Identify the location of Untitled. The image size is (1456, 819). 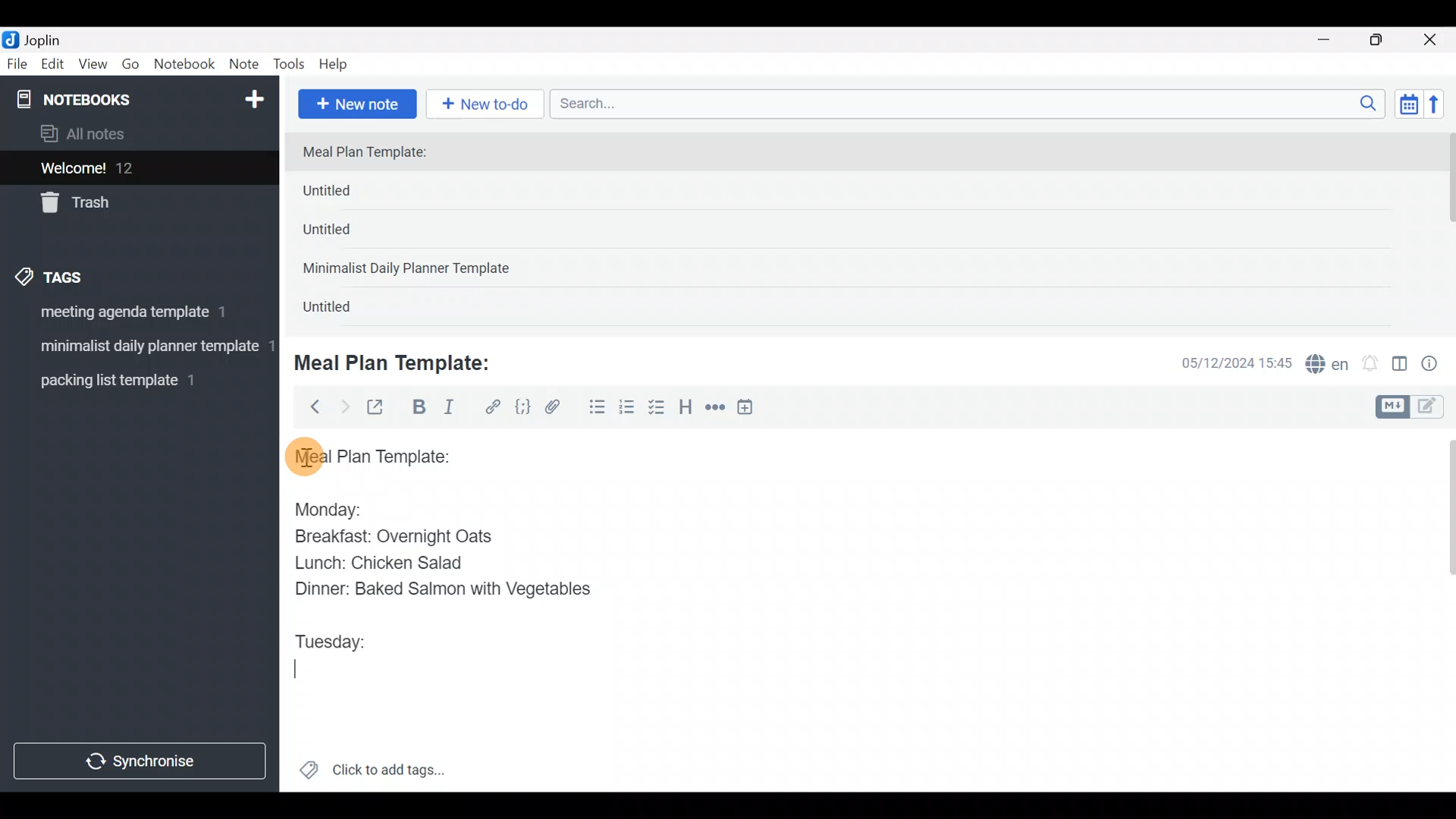
(347, 234).